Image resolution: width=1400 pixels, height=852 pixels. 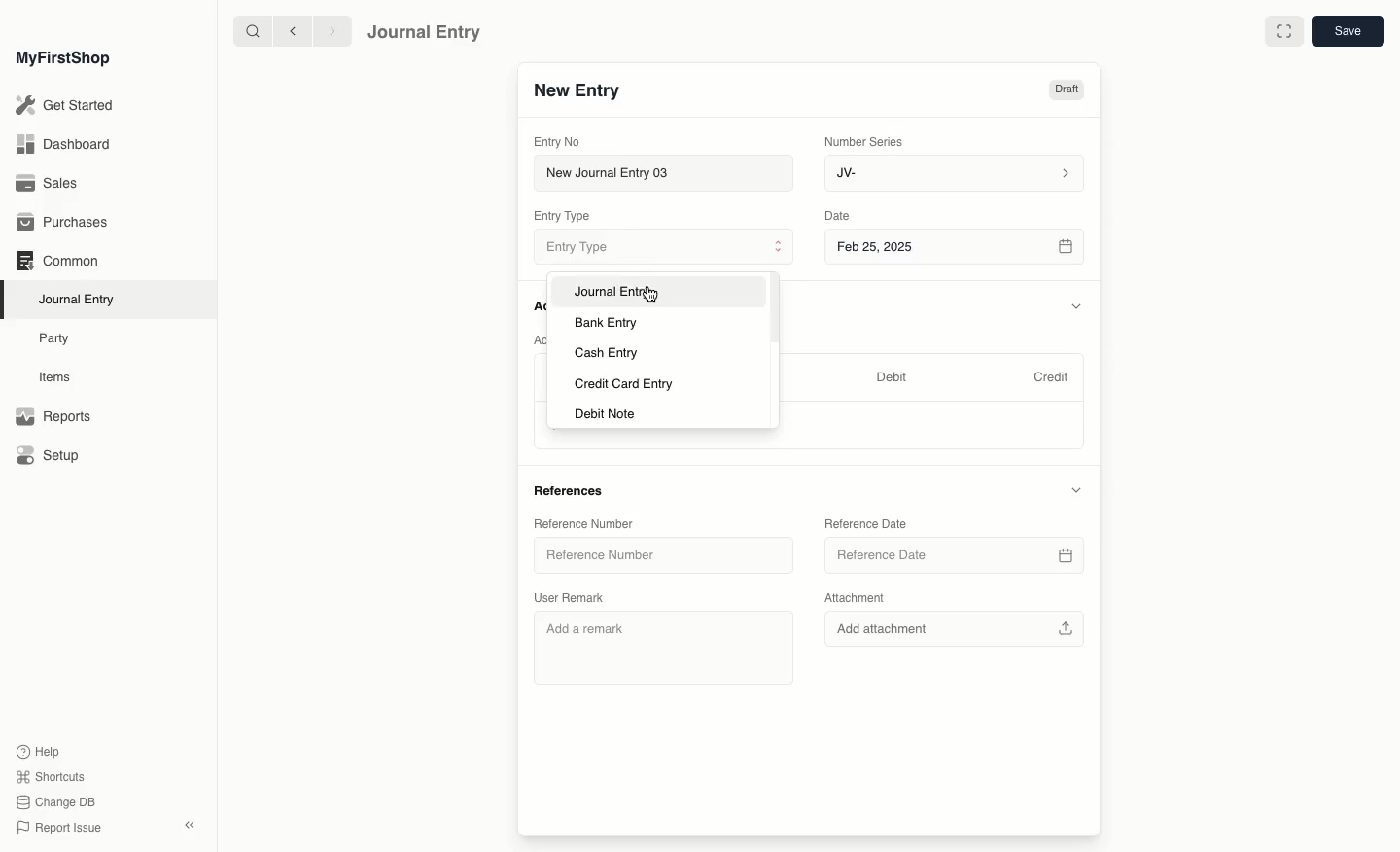 What do you see at coordinates (328, 30) in the screenshot?
I see `forward >` at bounding box center [328, 30].